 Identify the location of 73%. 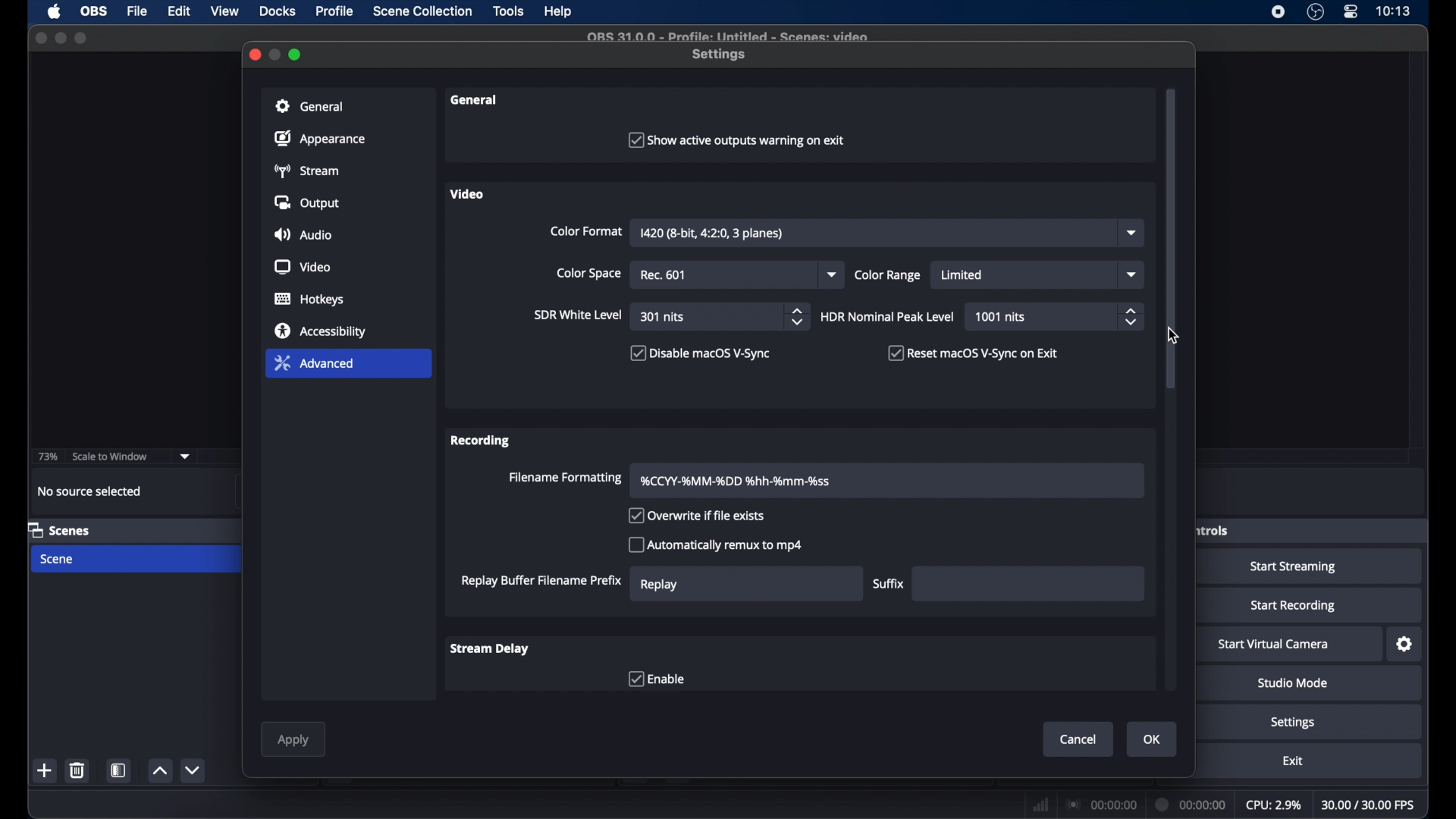
(49, 457).